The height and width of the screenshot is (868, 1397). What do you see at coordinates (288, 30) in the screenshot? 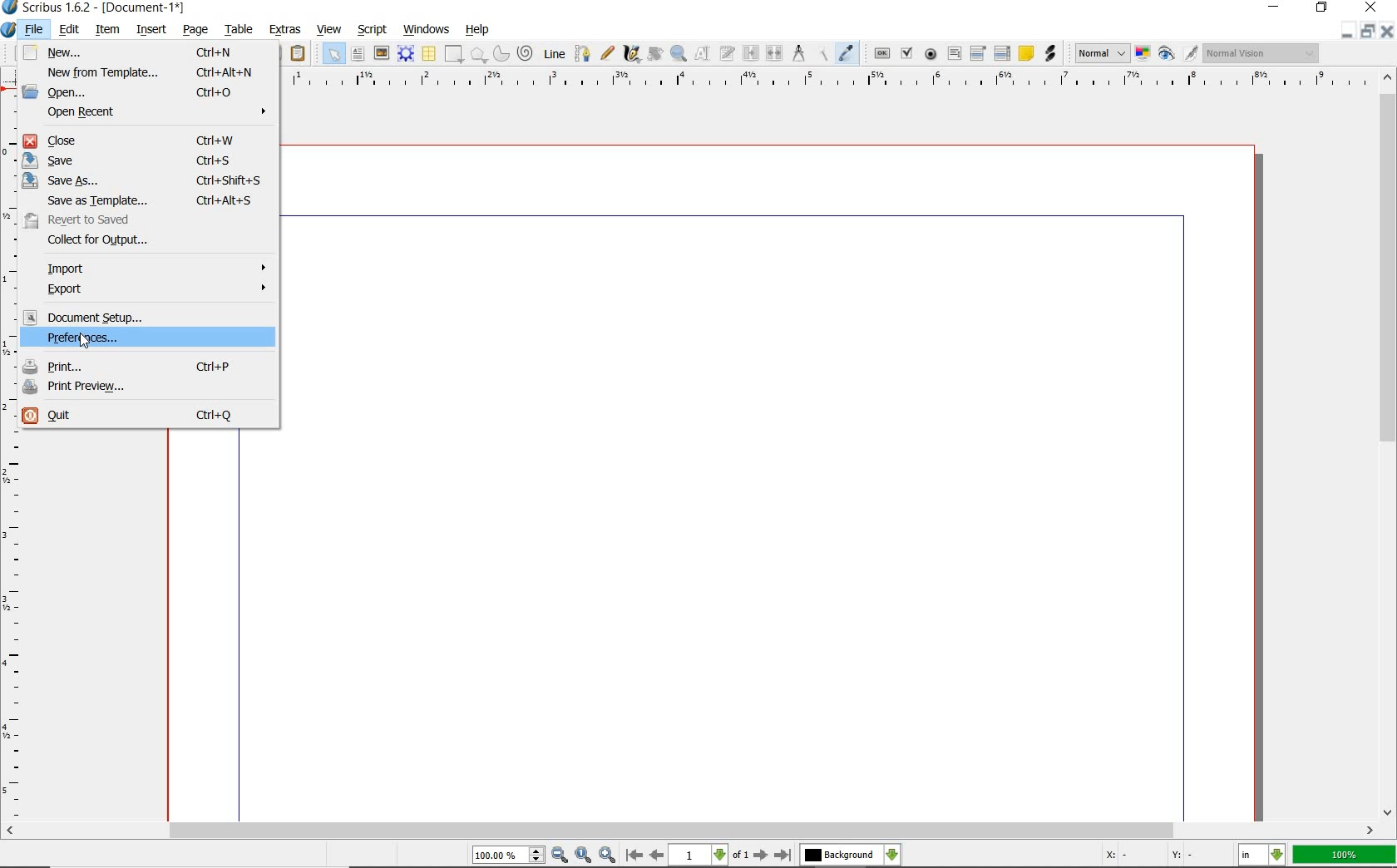
I see `extras` at bounding box center [288, 30].